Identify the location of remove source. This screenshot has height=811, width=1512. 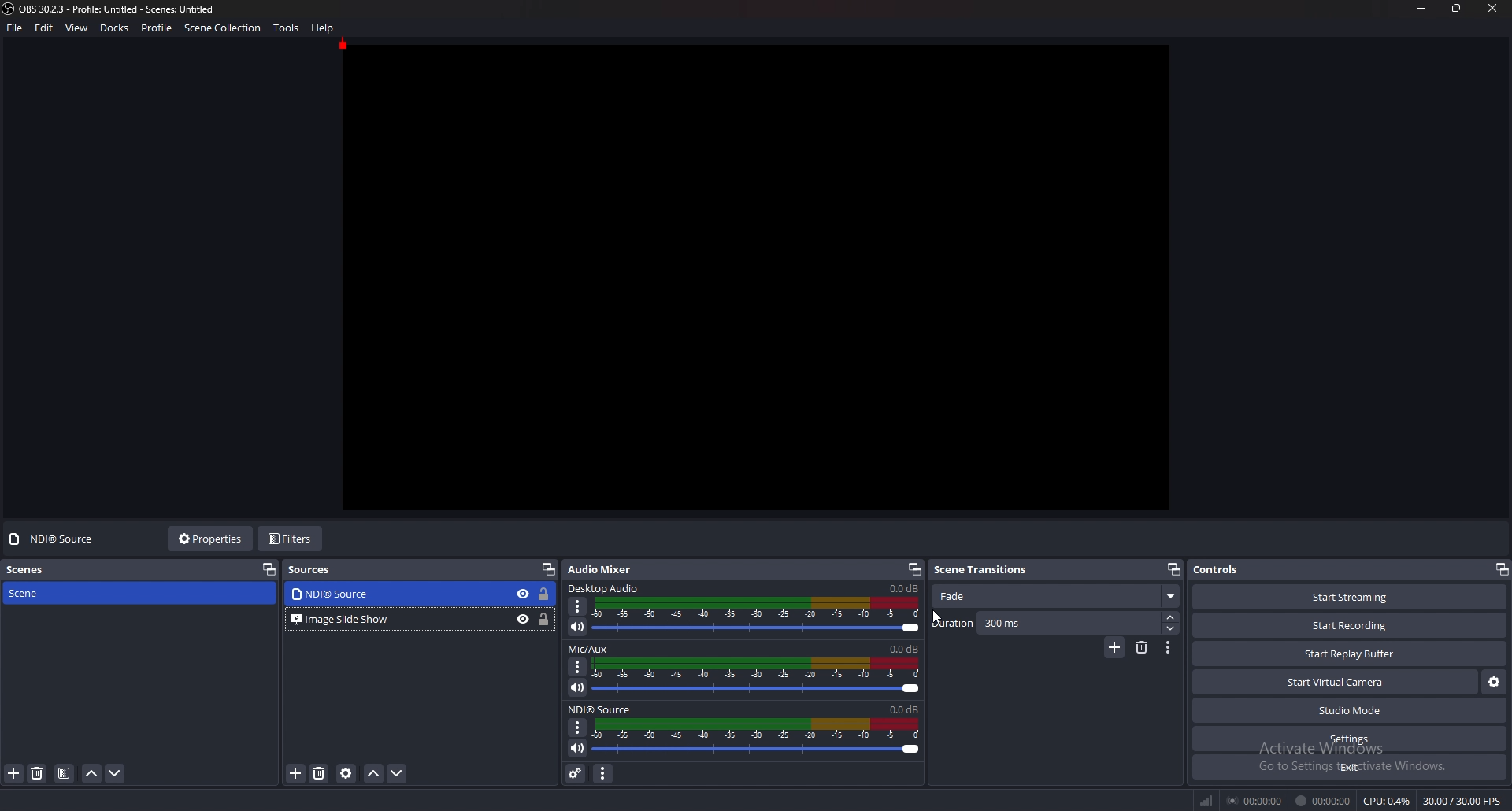
(321, 772).